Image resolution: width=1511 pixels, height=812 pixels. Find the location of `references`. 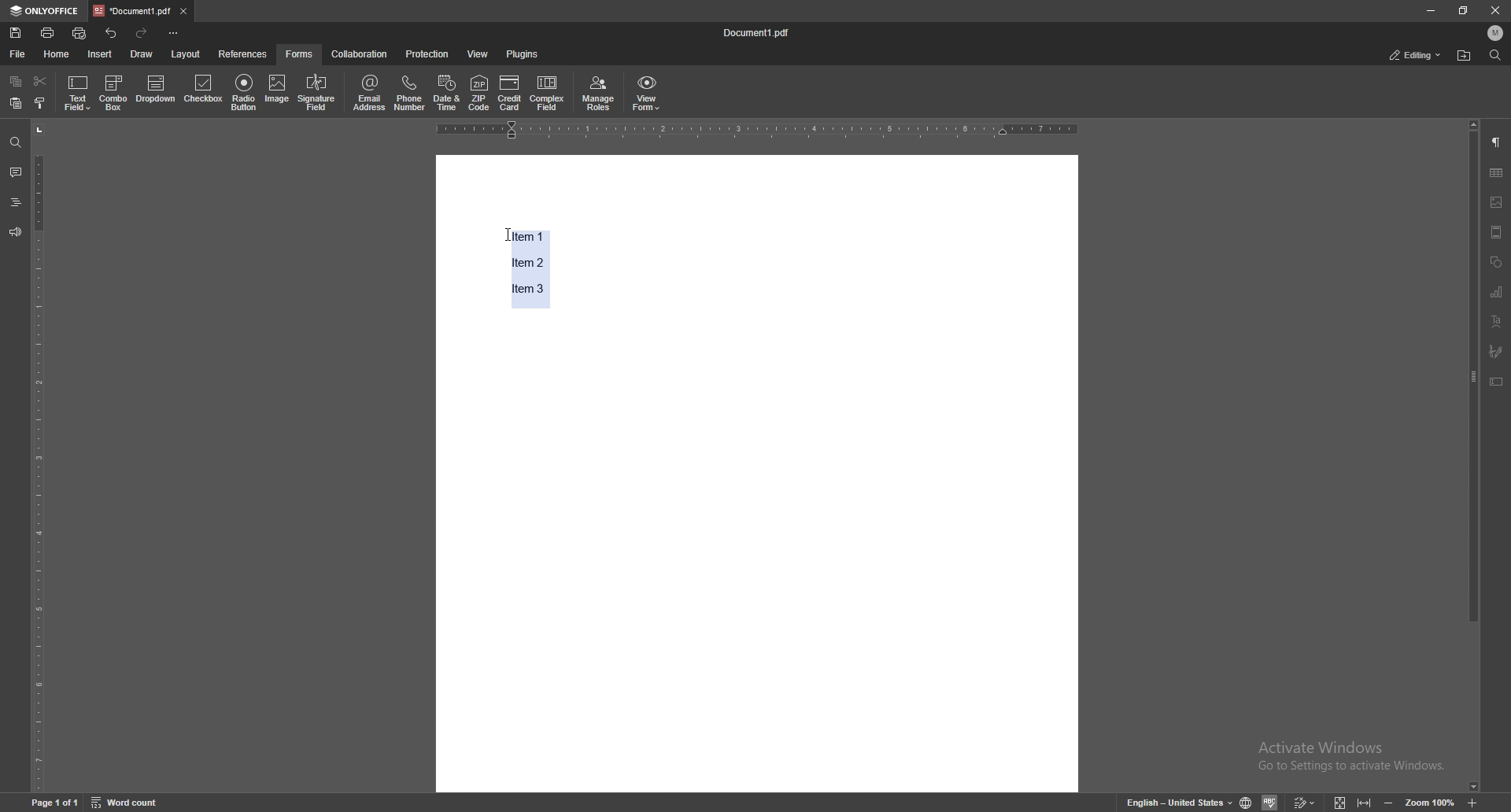

references is located at coordinates (243, 54).